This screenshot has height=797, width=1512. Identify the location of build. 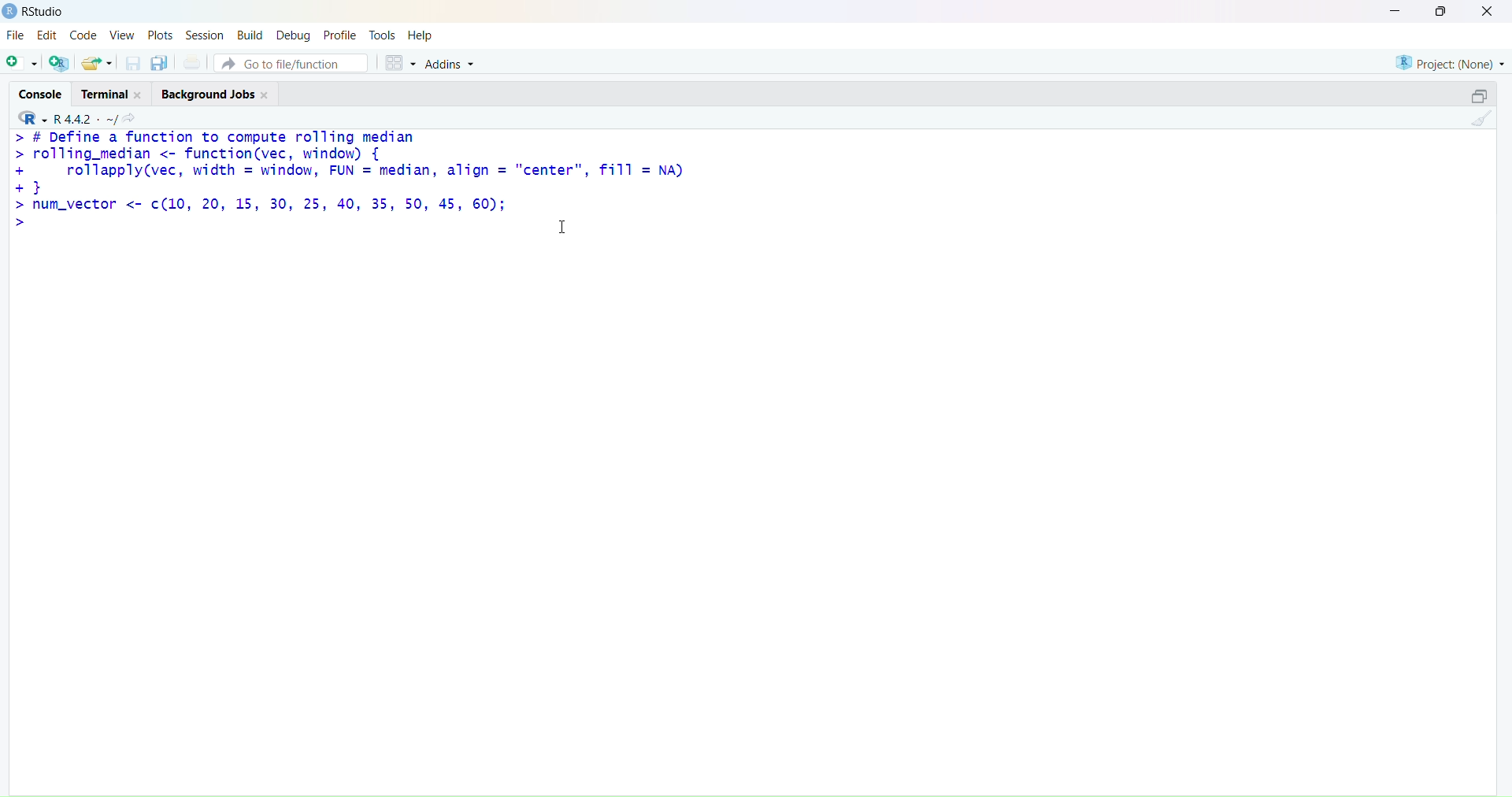
(250, 35).